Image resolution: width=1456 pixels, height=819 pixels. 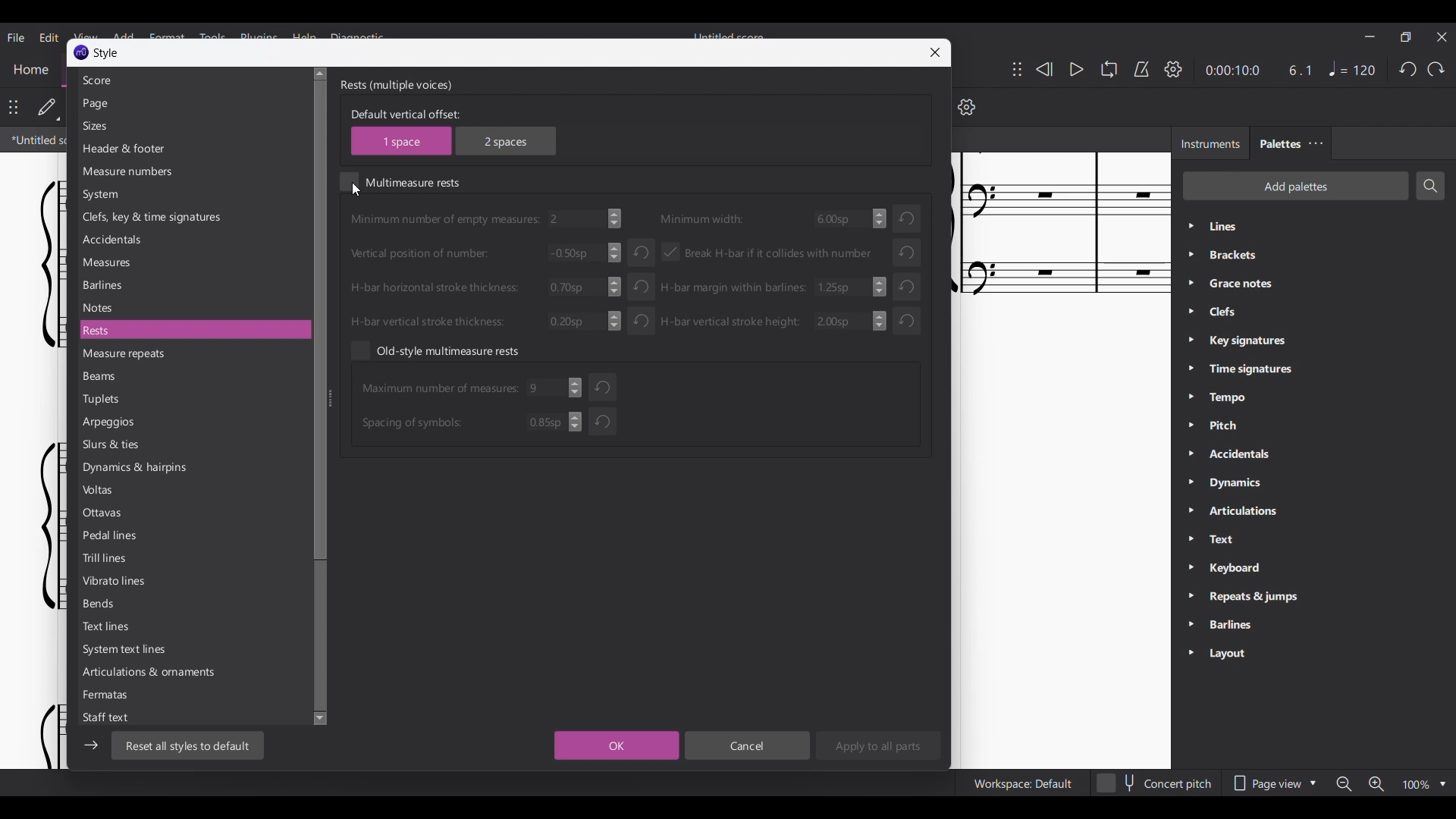 I want to click on Zoom options, so click(x=1442, y=784).